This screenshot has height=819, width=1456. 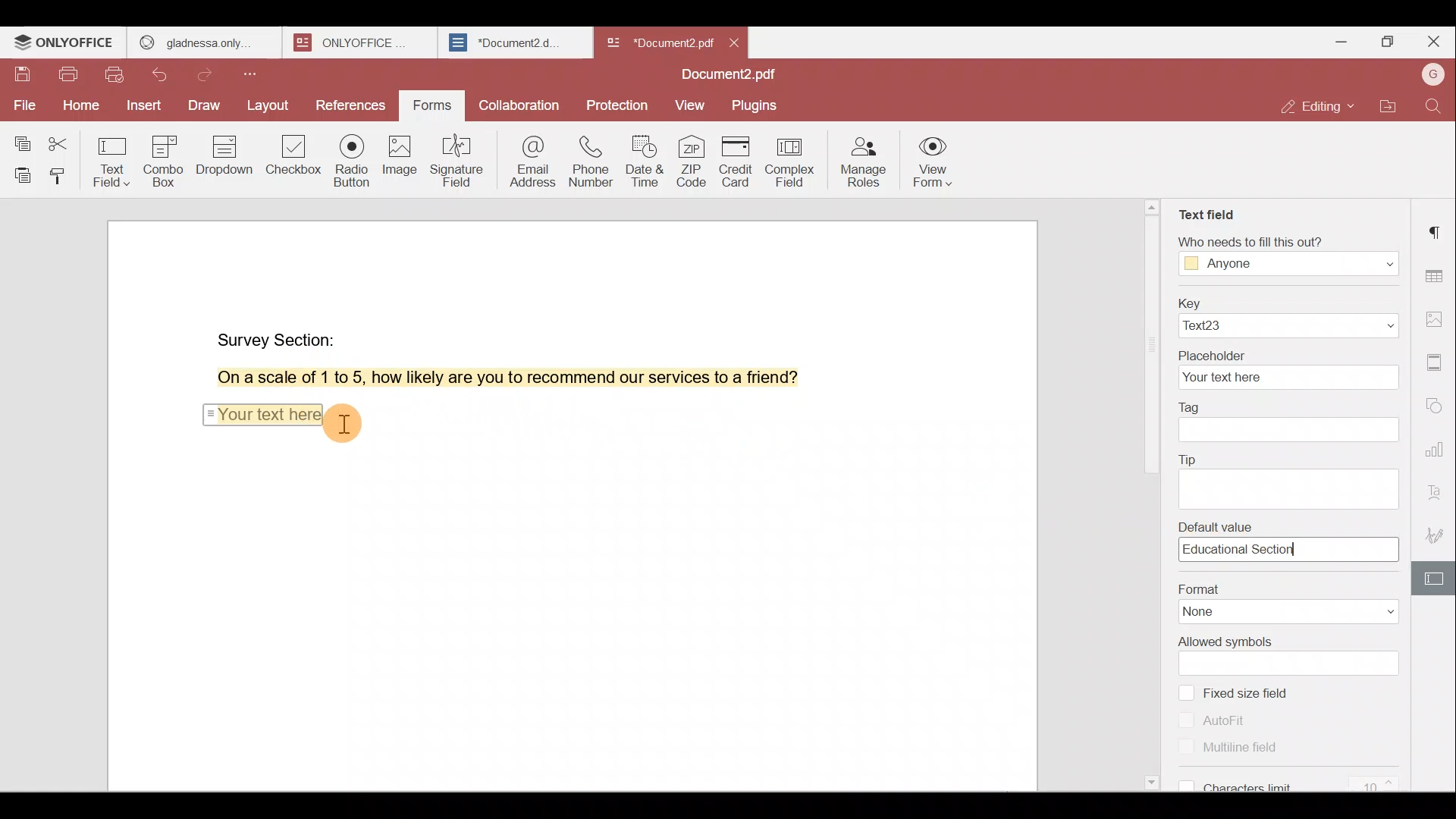 What do you see at coordinates (64, 140) in the screenshot?
I see `Cut` at bounding box center [64, 140].